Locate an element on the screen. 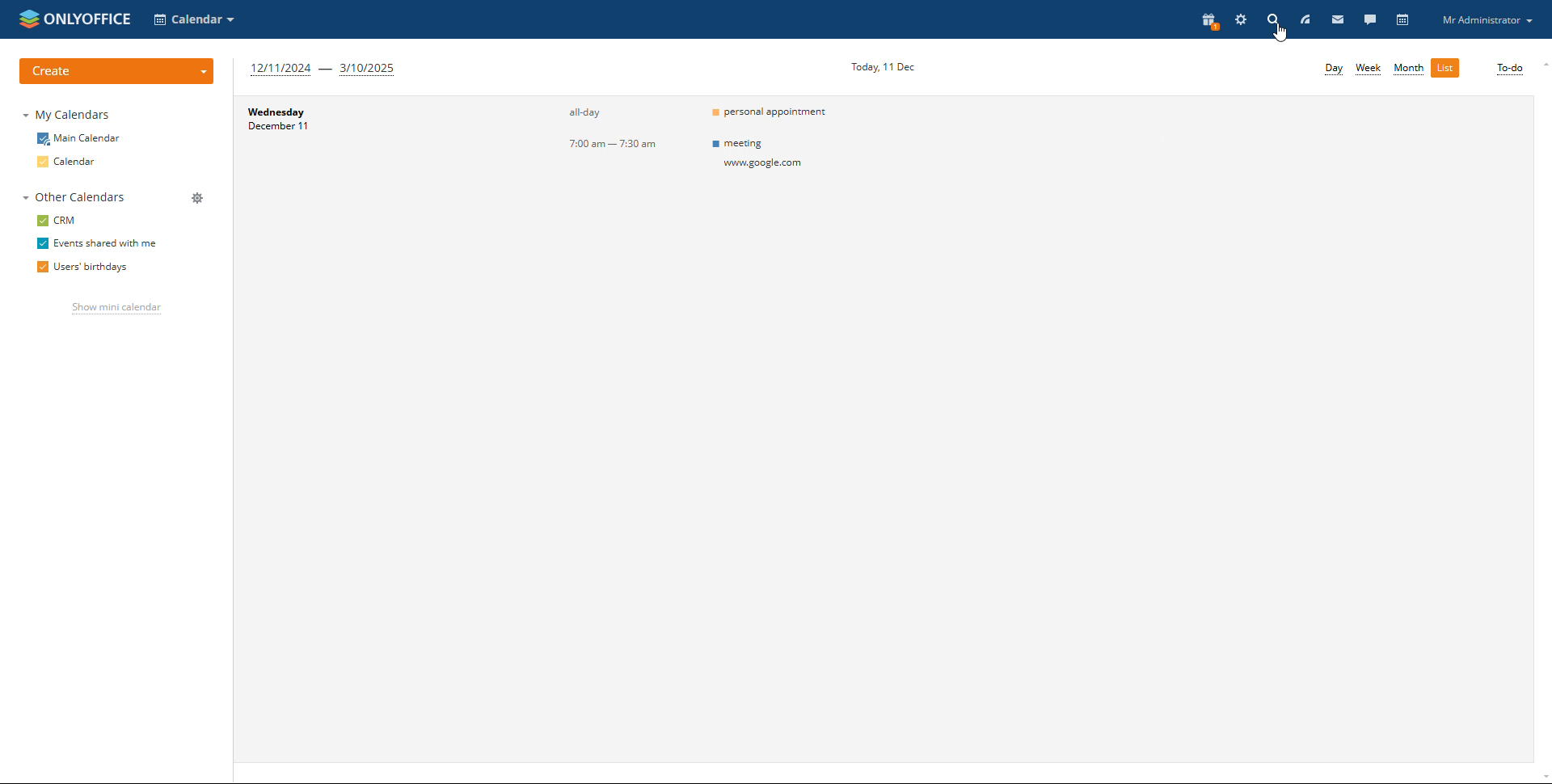  Today, 11 Dec is located at coordinates (885, 66).